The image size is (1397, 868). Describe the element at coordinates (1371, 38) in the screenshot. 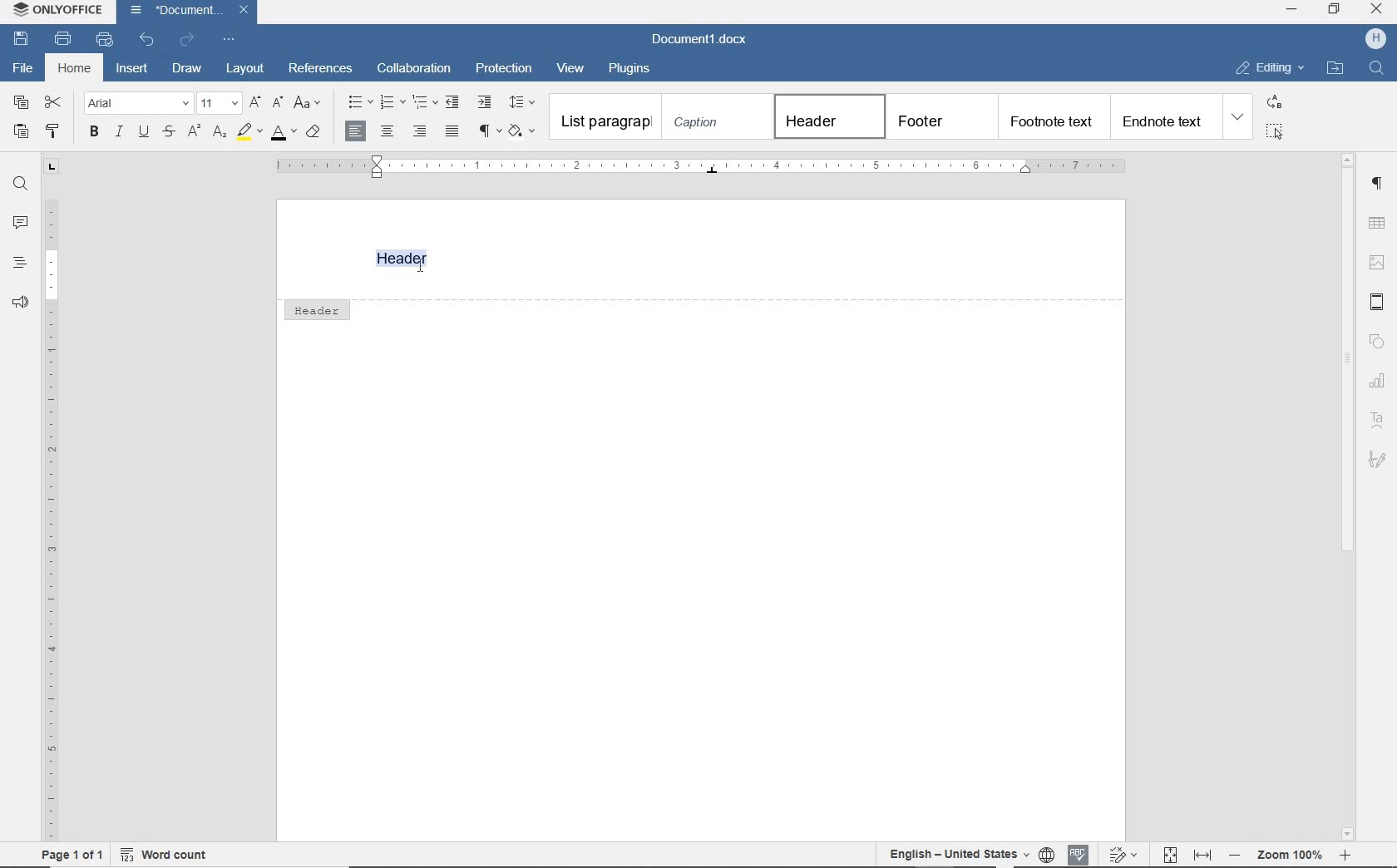

I see `HP` at that location.